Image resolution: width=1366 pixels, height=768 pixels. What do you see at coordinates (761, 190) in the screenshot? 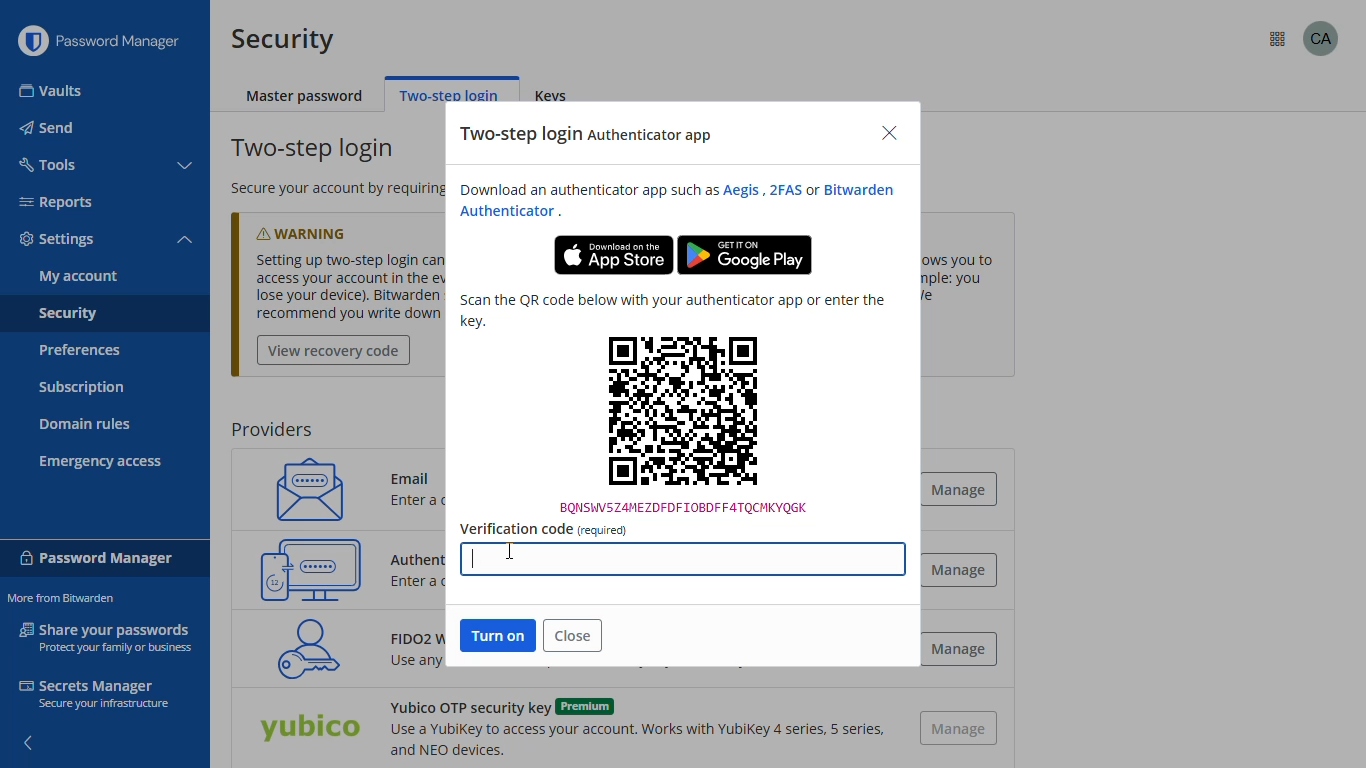
I see `Aegis , 2FAS` at bounding box center [761, 190].